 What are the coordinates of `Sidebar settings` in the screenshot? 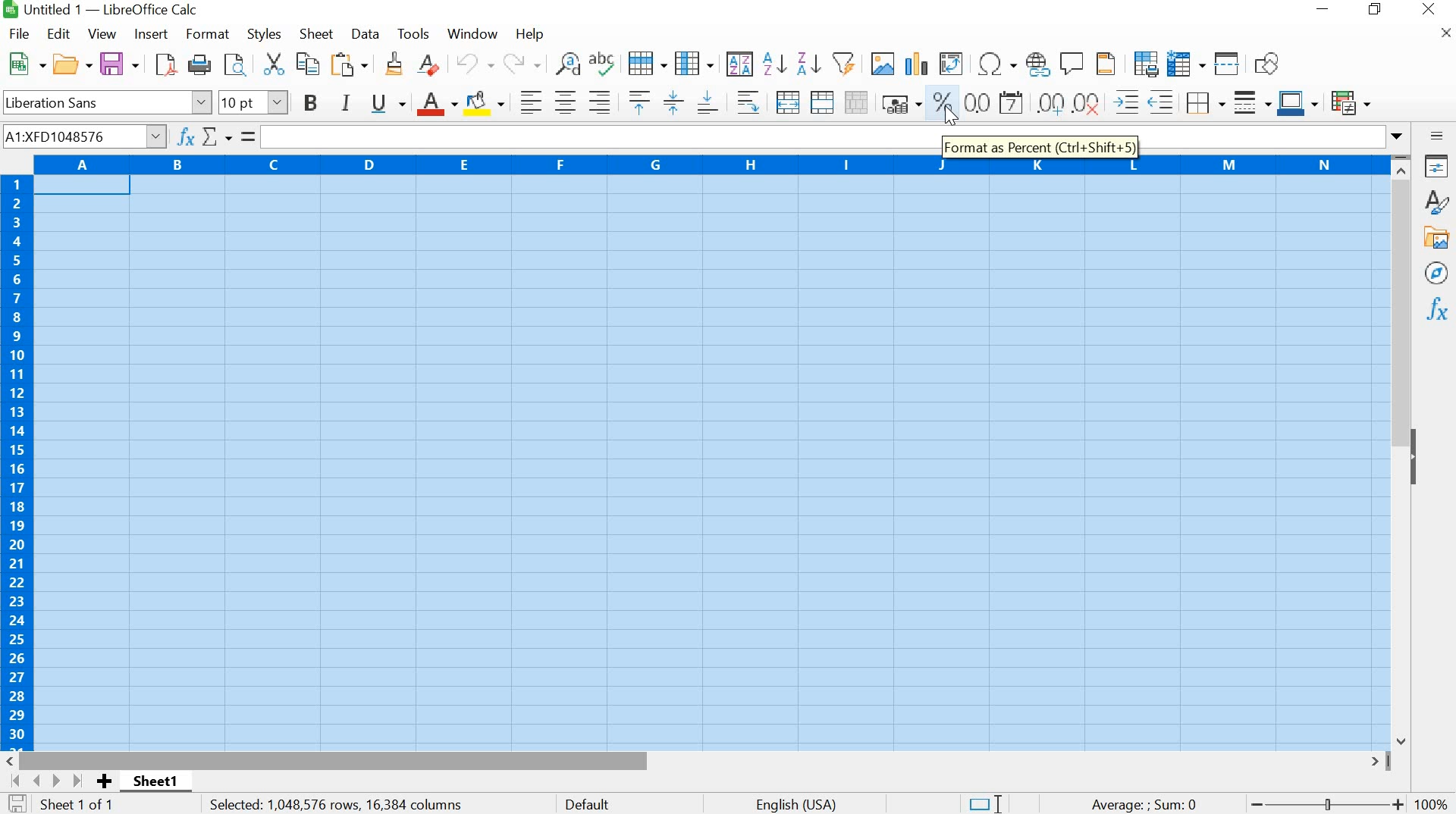 It's located at (1438, 136).